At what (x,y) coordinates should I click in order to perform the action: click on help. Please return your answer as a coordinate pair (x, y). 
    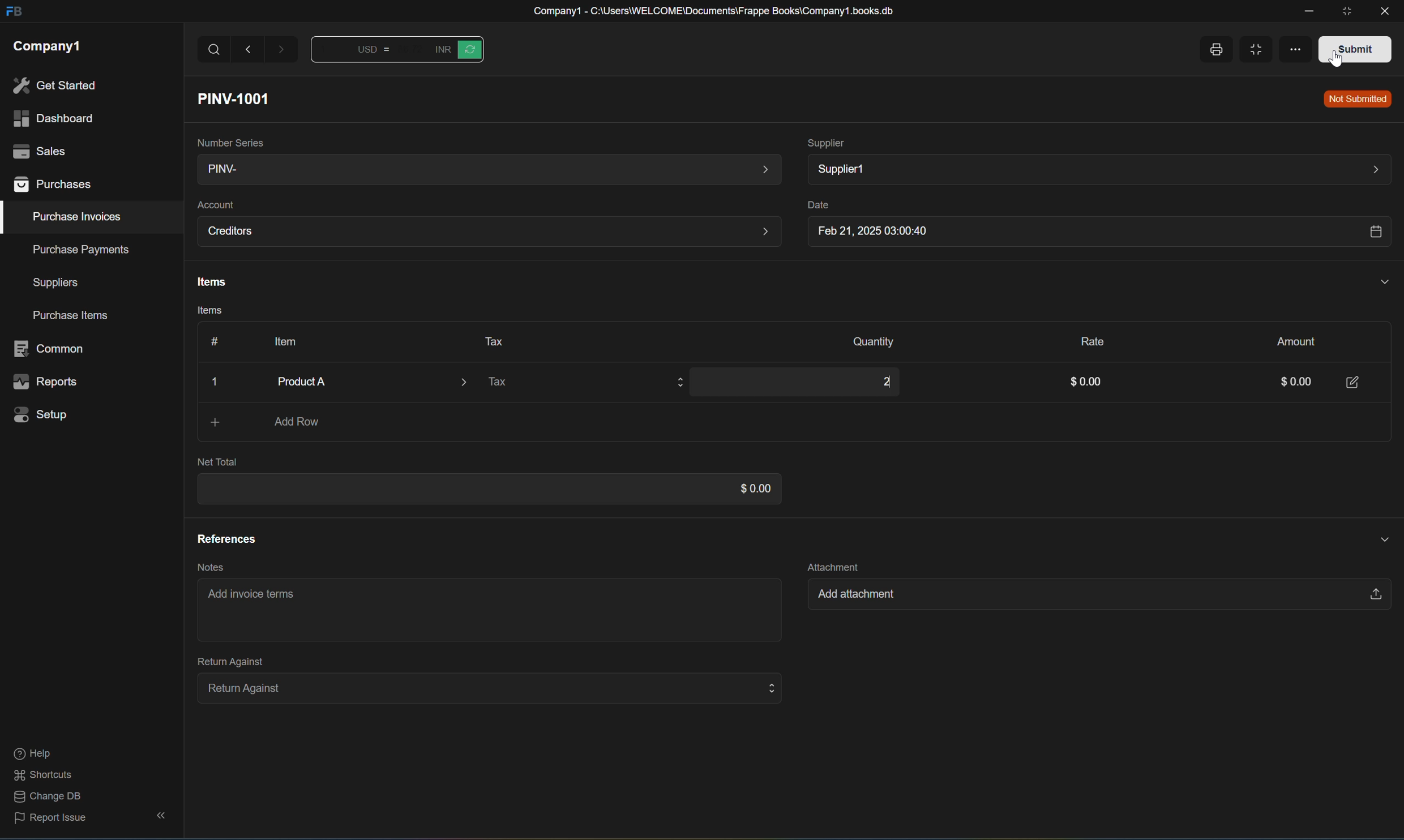
    Looking at the image, I should click on (32, 755).